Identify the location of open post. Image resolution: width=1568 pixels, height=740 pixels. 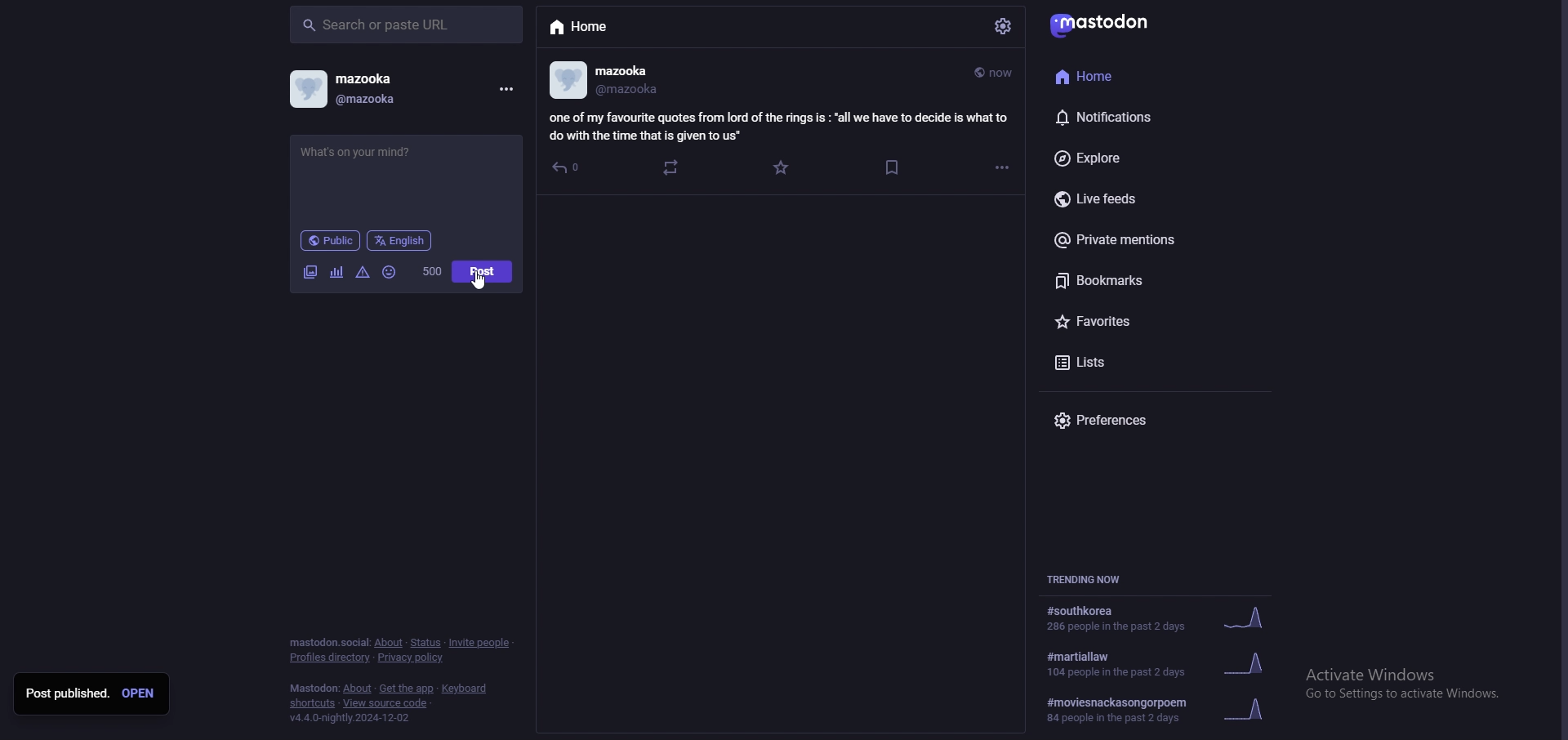
(141, 694).